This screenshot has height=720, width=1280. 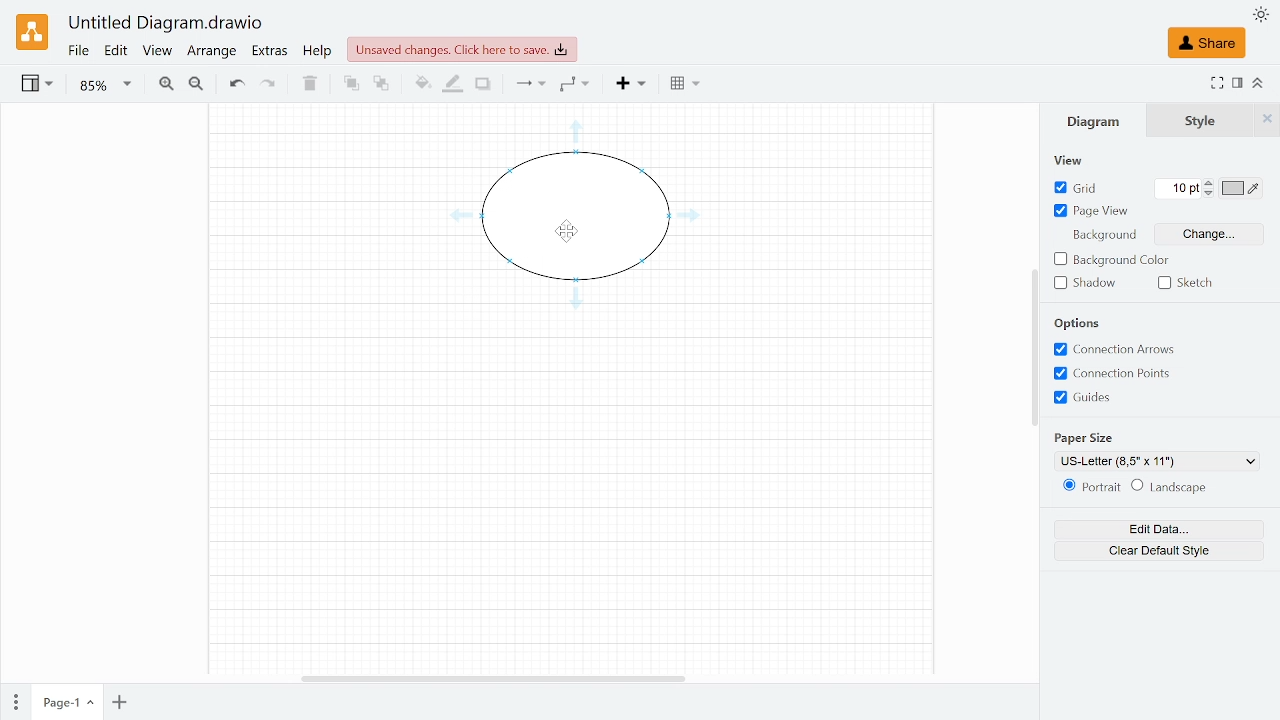 I want to click on Sketch, so click(x=1188, y=282).